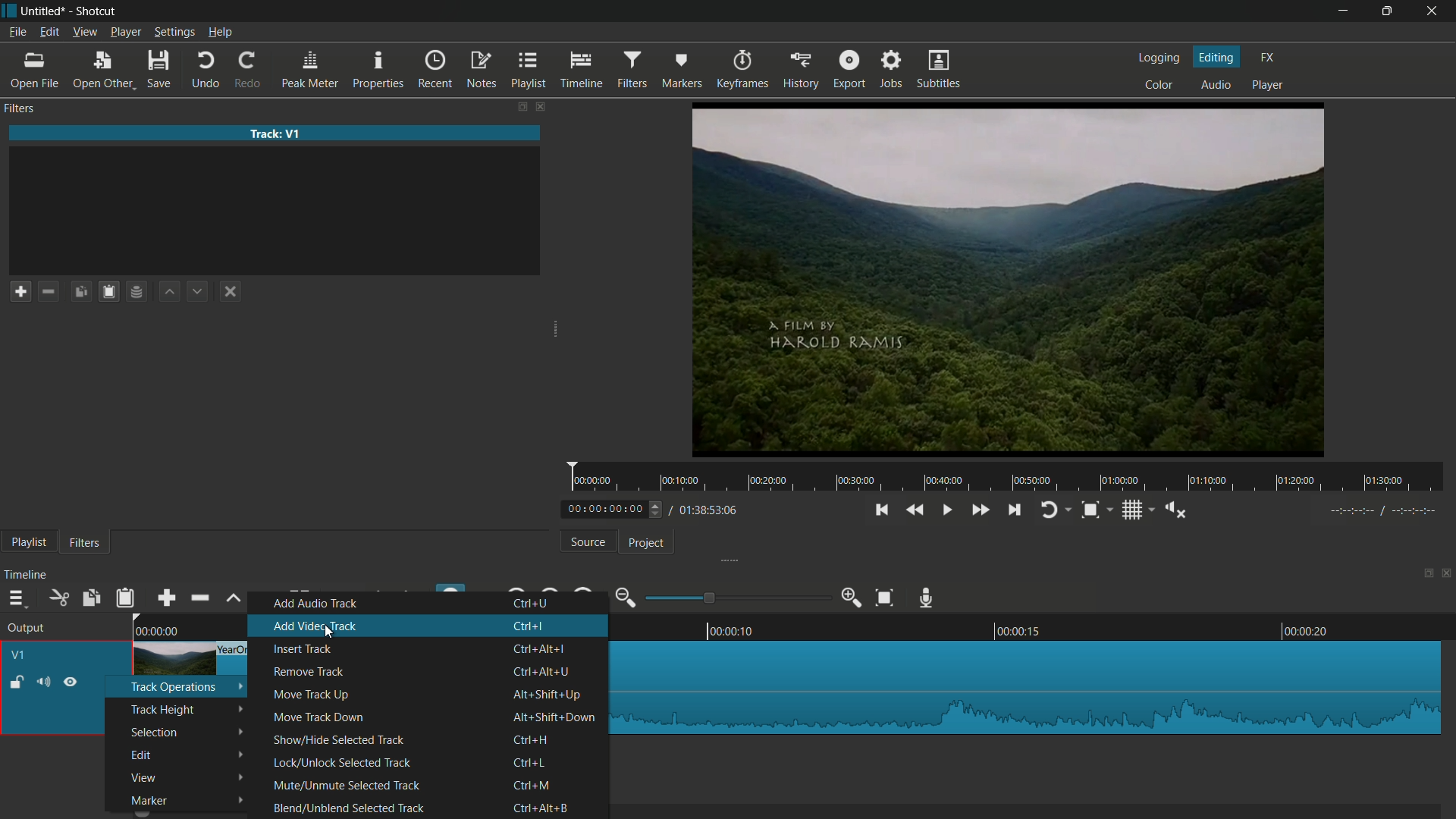 The height and width of the screenshot is (819, 1456). Describe the element at coordinates (800, 71) in the screenshot. I see `history` at that location.